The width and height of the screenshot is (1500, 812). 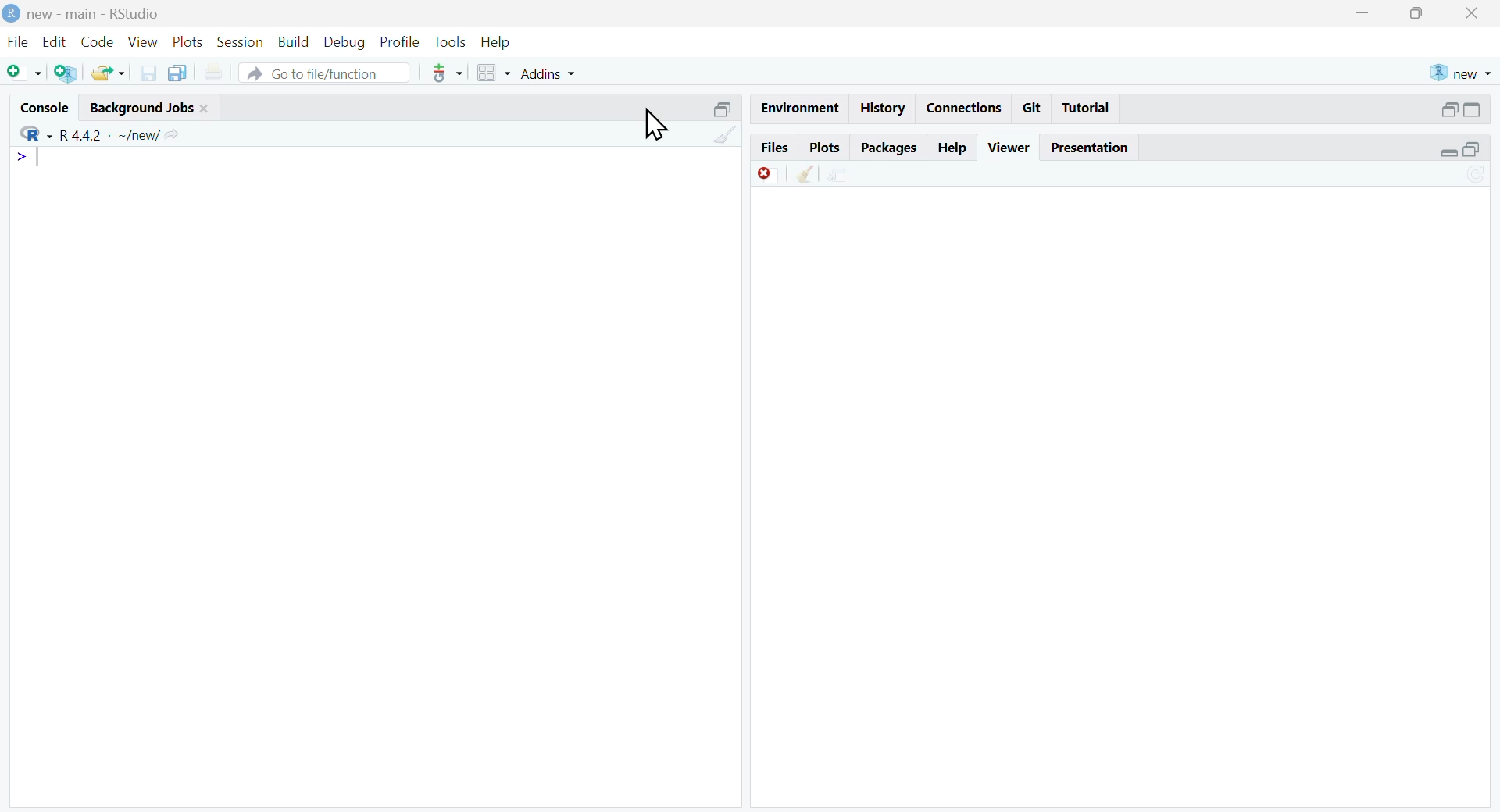 I want to click on session, so click(x=241, y=41).